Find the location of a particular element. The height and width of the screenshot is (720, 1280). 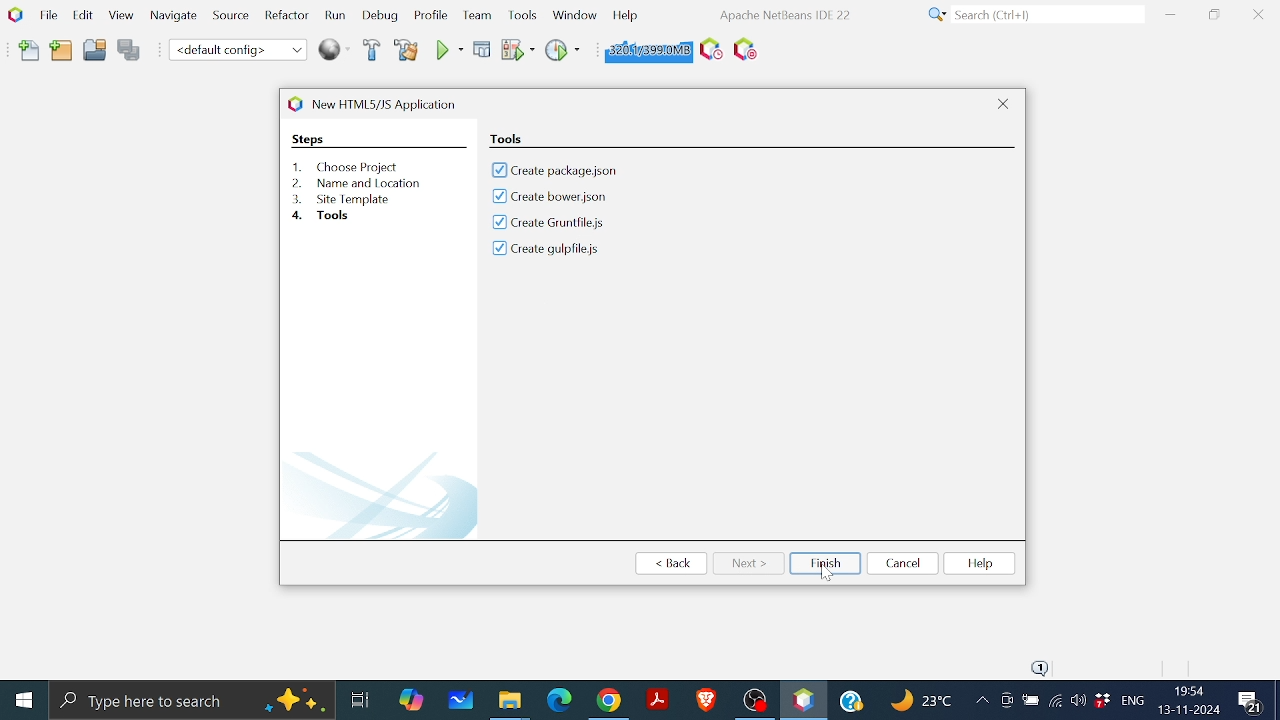

Minimize is located at coordinates (1170, 14).